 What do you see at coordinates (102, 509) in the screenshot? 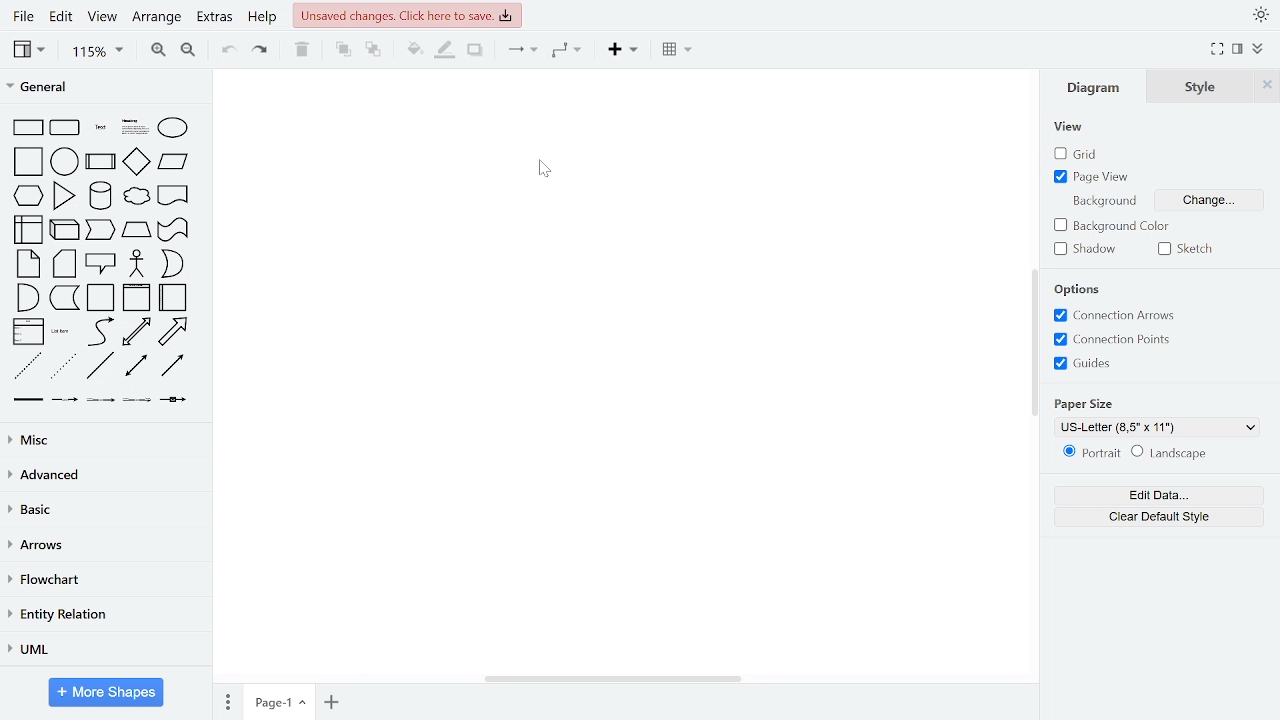
I see `basic` at bounding box center [102, 509].